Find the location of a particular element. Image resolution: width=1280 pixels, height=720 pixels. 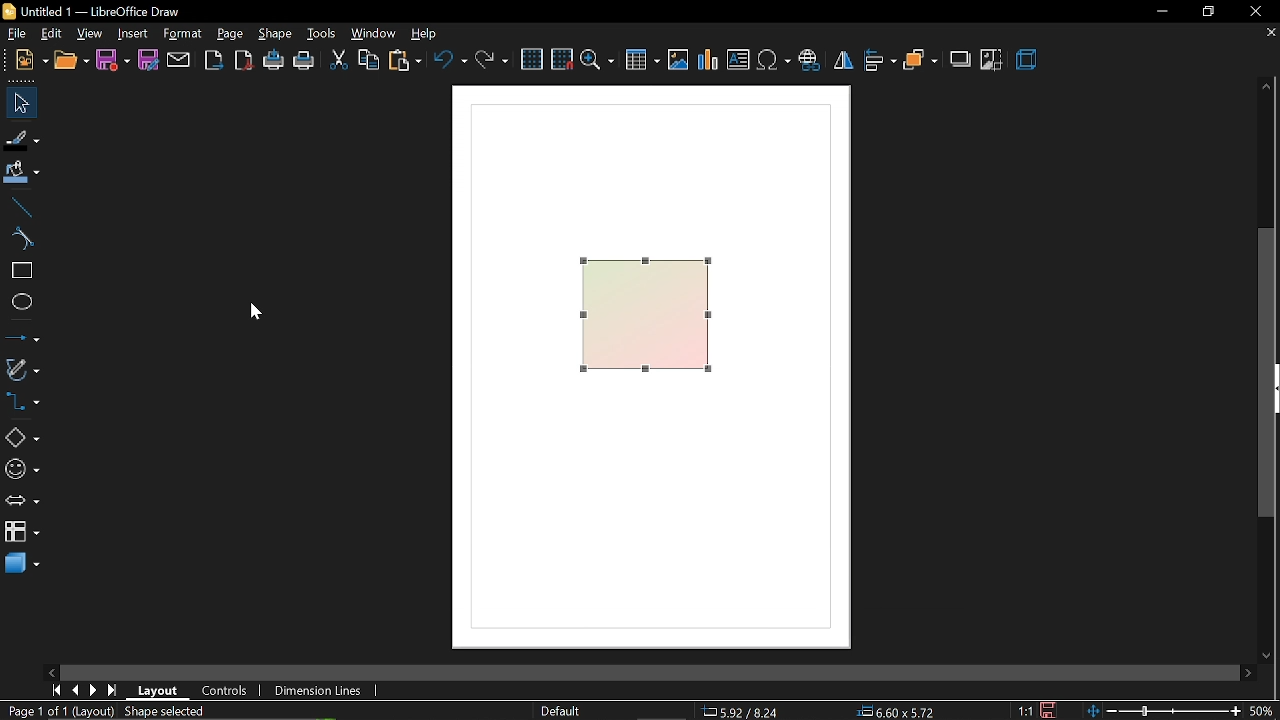

Insert text is located at coordinates (738, 61).